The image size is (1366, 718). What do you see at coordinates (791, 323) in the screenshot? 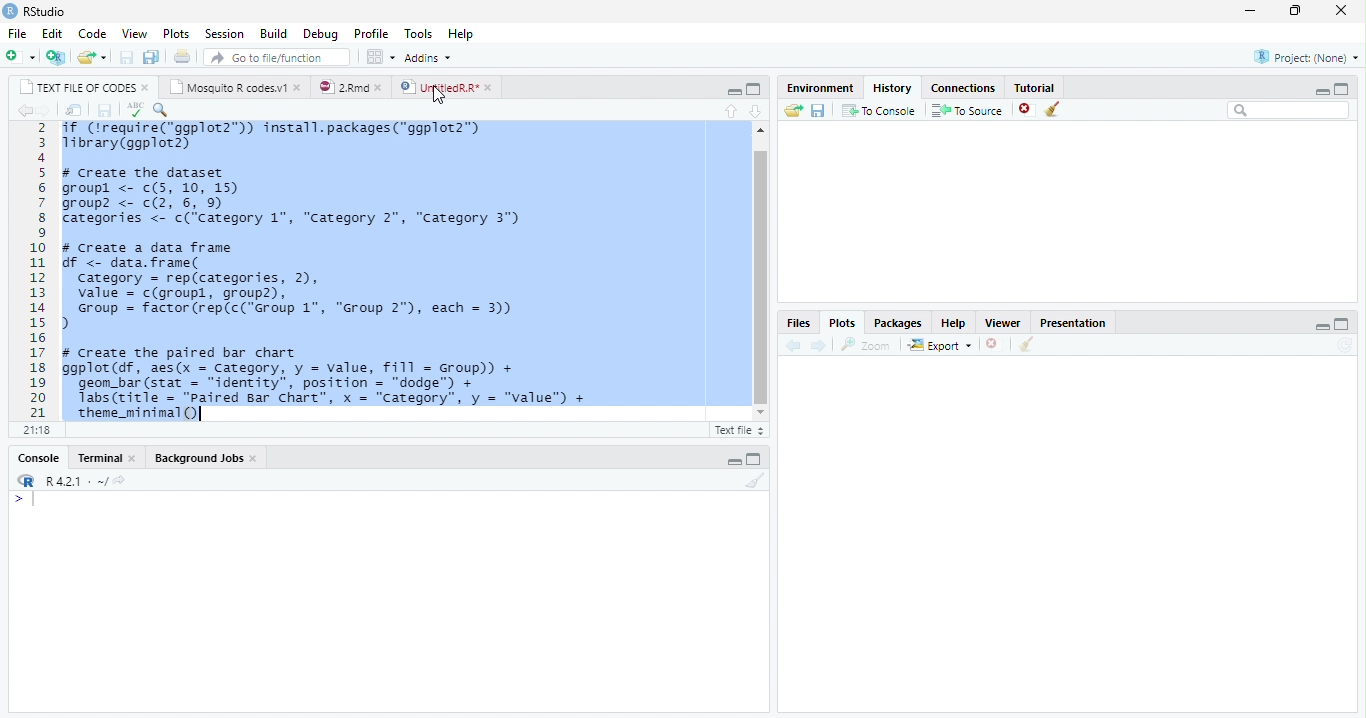
I see `files` at bounding box center [791, 323].